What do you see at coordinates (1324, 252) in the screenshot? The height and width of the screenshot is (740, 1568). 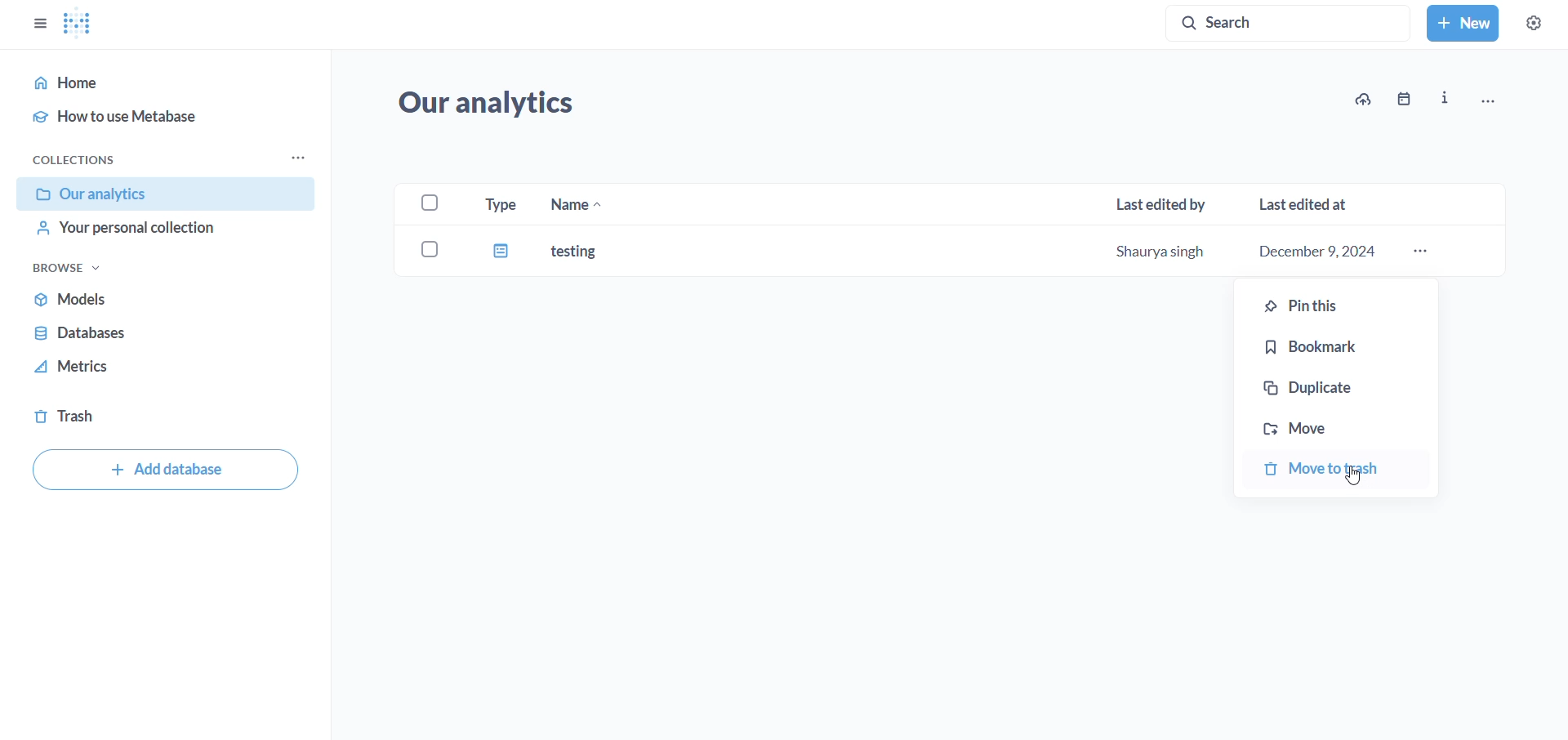 I see `December 9, 2024` at bounding box center [1324, 252].